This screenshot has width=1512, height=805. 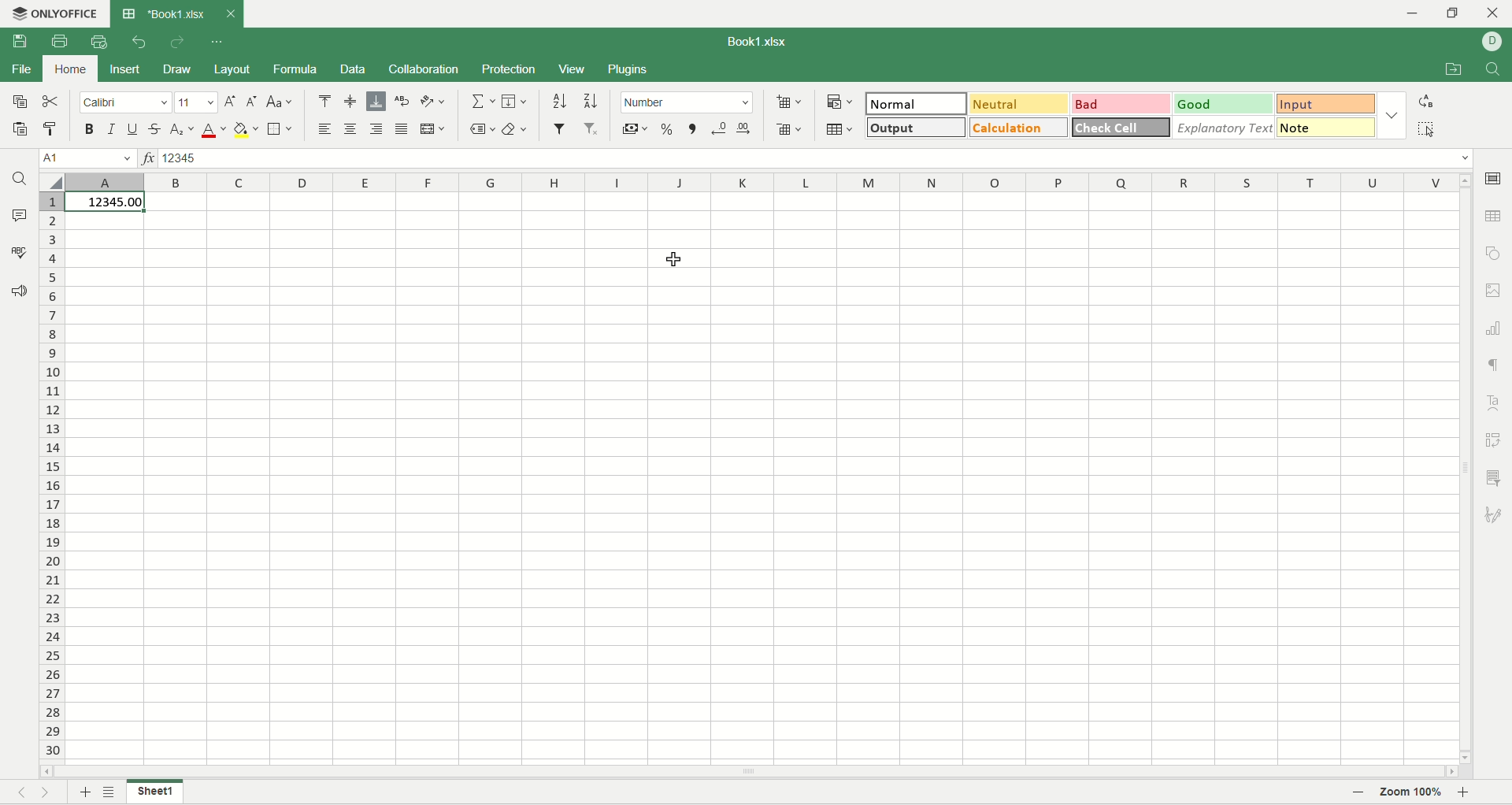 What do you see at coordinates (424, 70) in the screenshot?
I see `collaboration` at bounding box center [424, 70].